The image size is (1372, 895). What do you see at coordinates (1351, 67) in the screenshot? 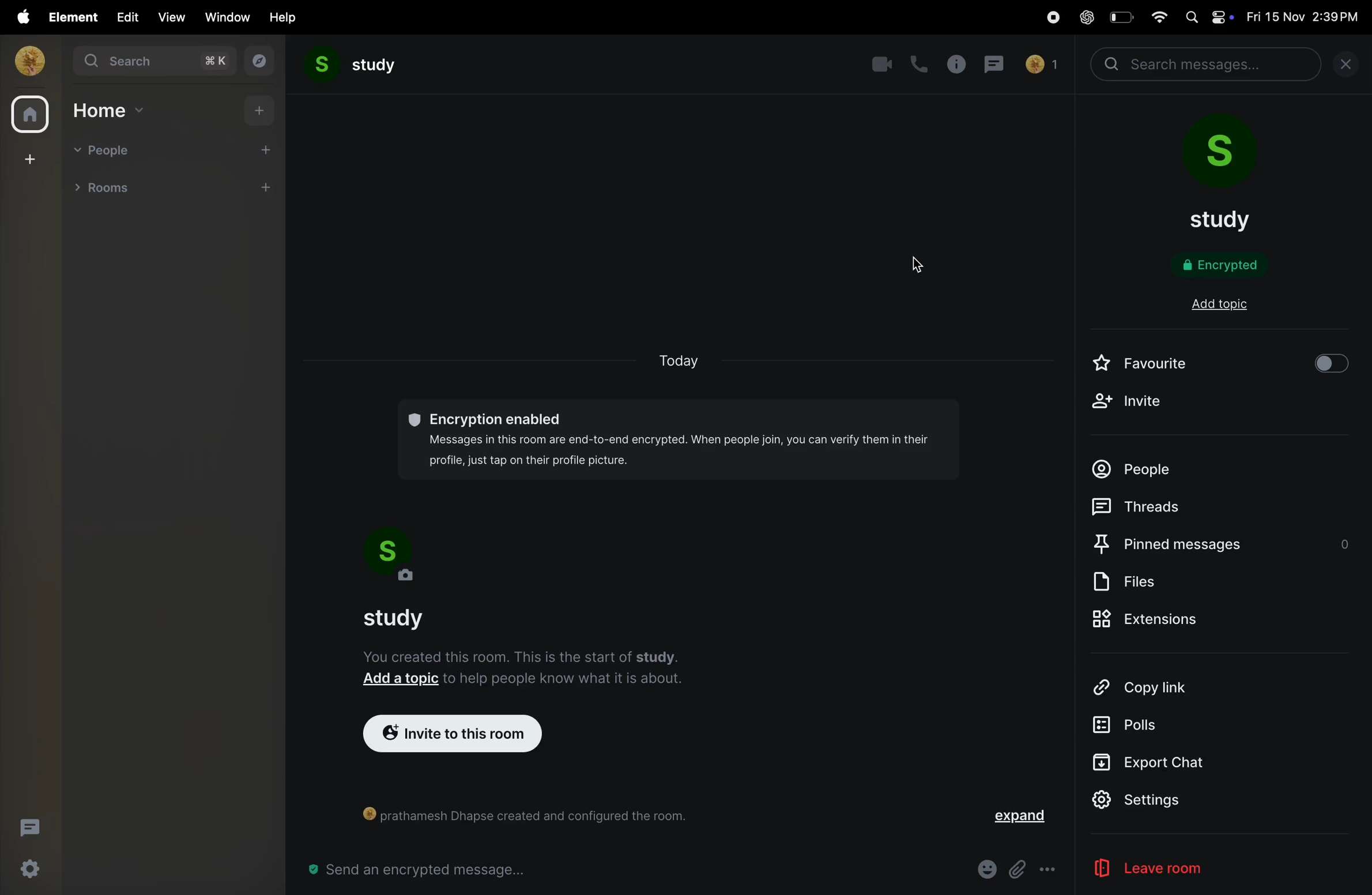
I see `close` at bounding box center [1351, 67].